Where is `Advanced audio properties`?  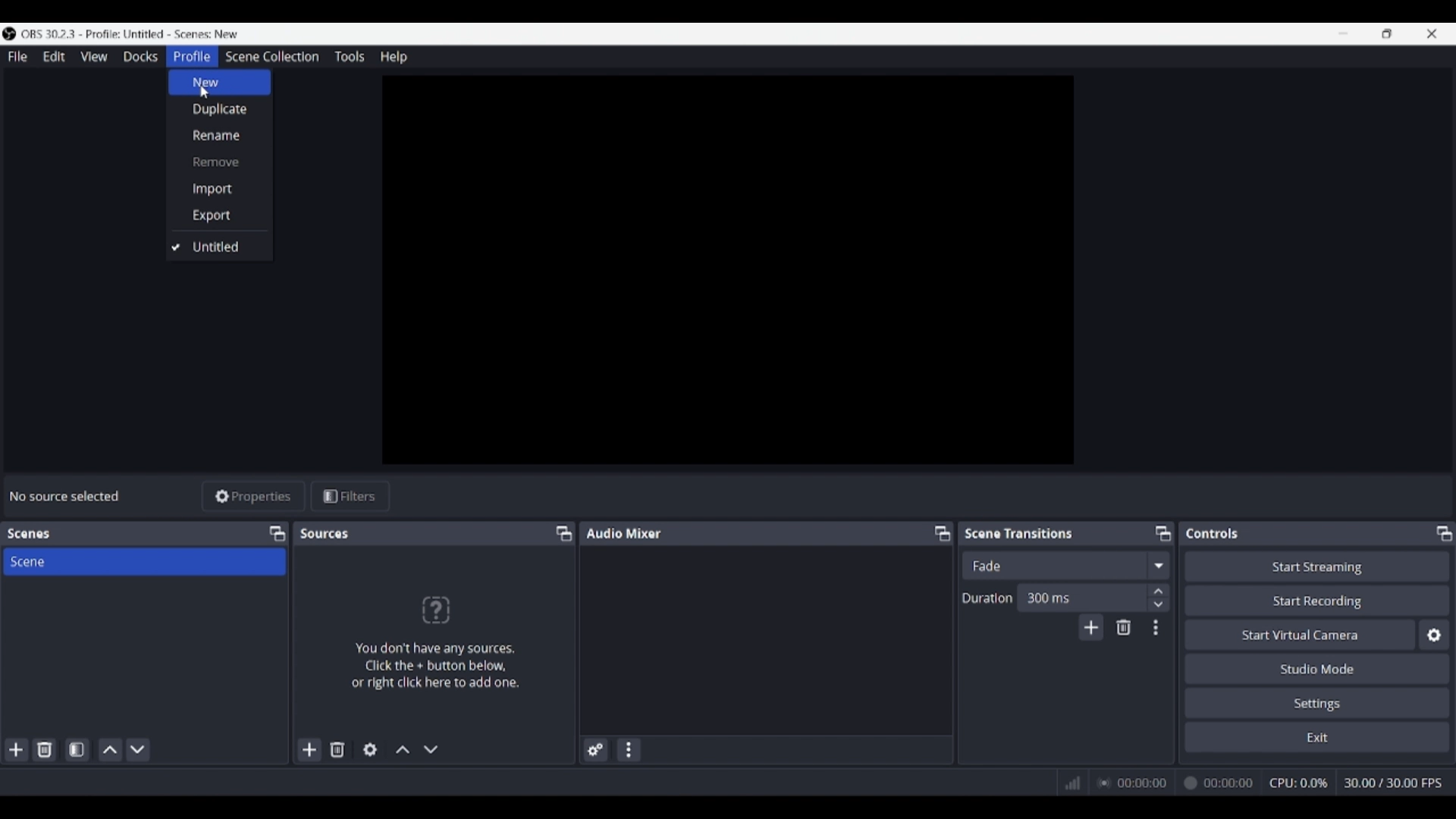
Advanced audio properties is located at coordinates (595, 750).